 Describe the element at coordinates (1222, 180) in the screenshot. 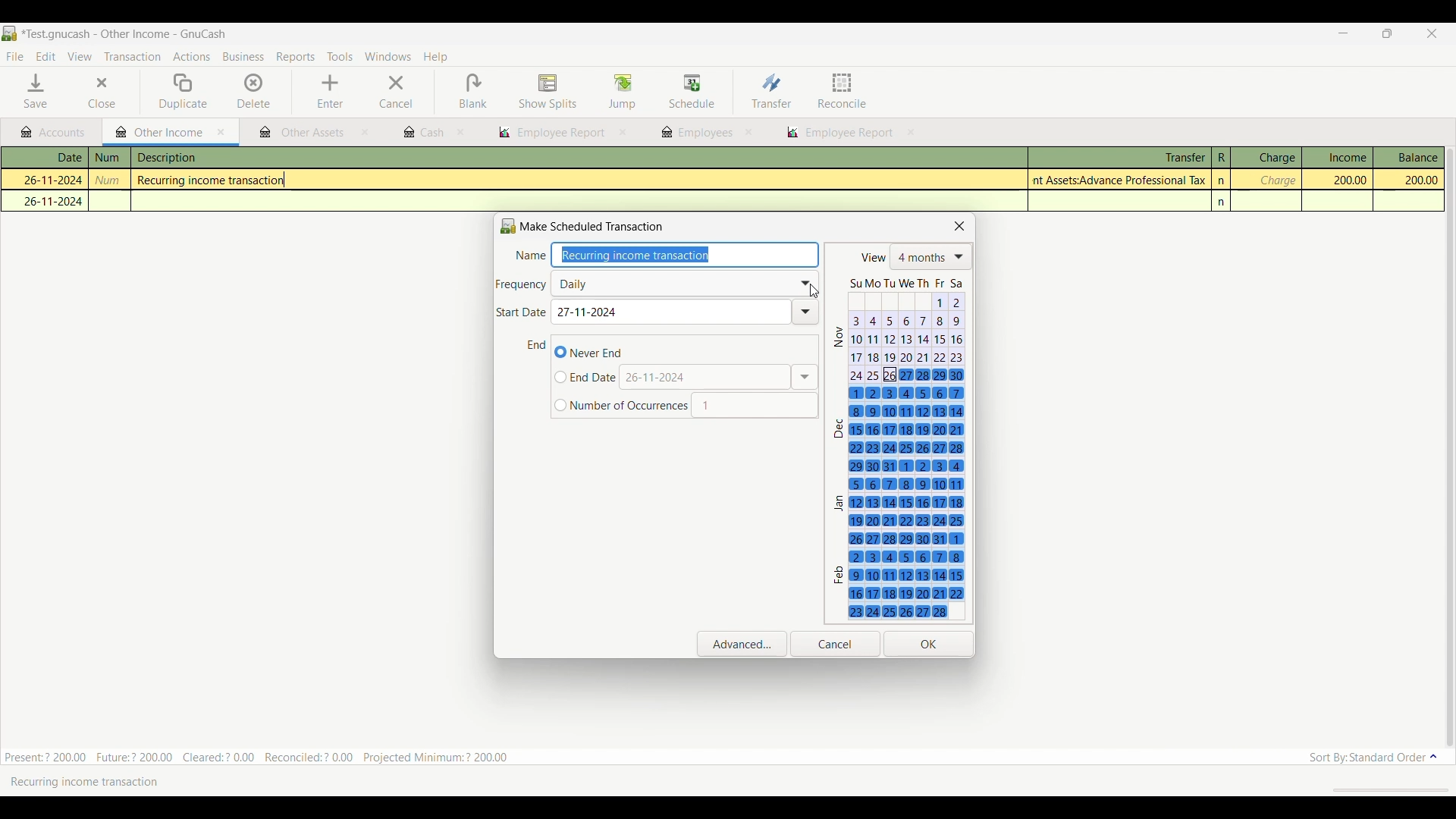

I see `n` at that location.